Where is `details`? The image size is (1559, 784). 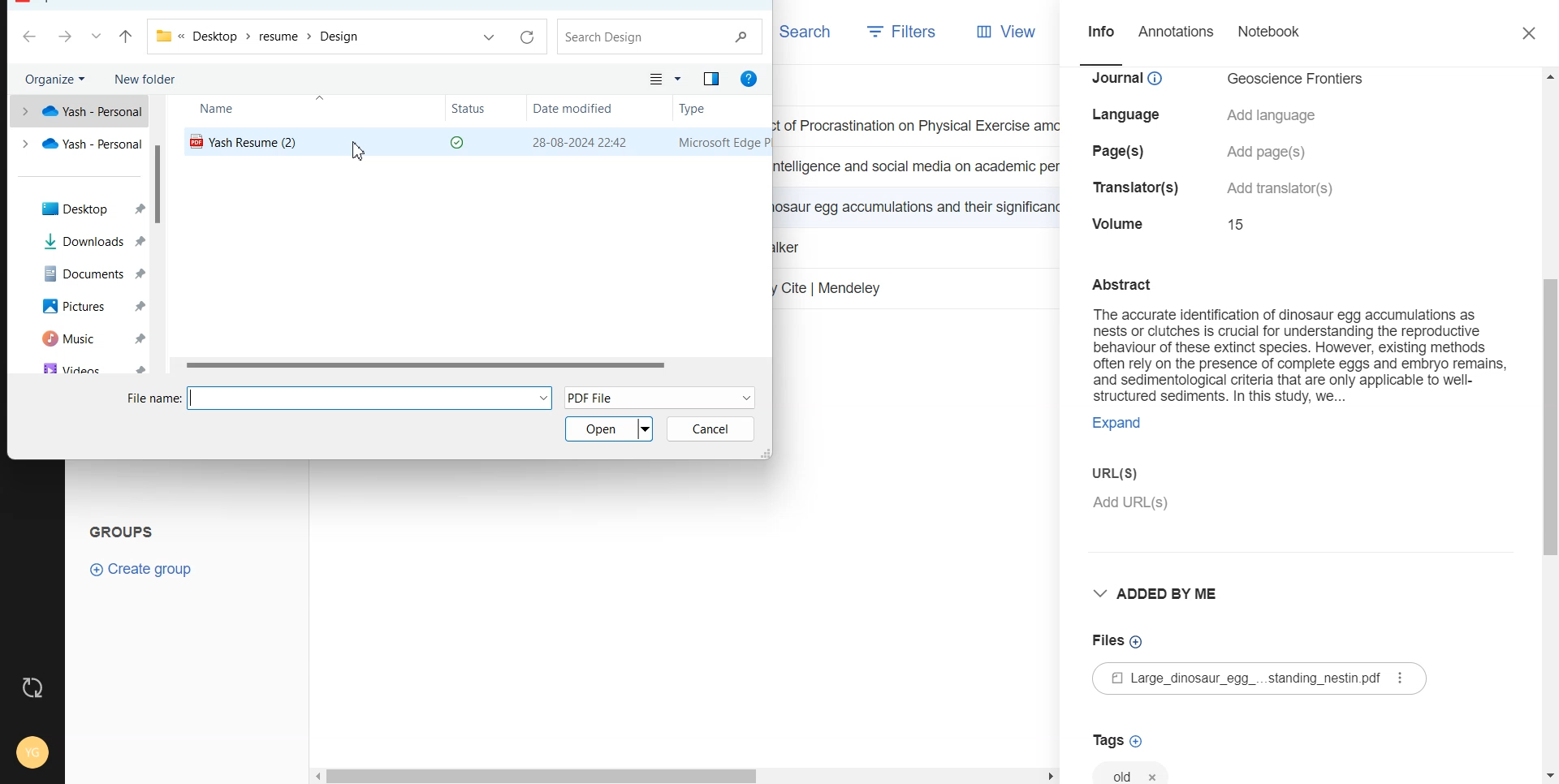 details is located at coordinates (1281, 188).